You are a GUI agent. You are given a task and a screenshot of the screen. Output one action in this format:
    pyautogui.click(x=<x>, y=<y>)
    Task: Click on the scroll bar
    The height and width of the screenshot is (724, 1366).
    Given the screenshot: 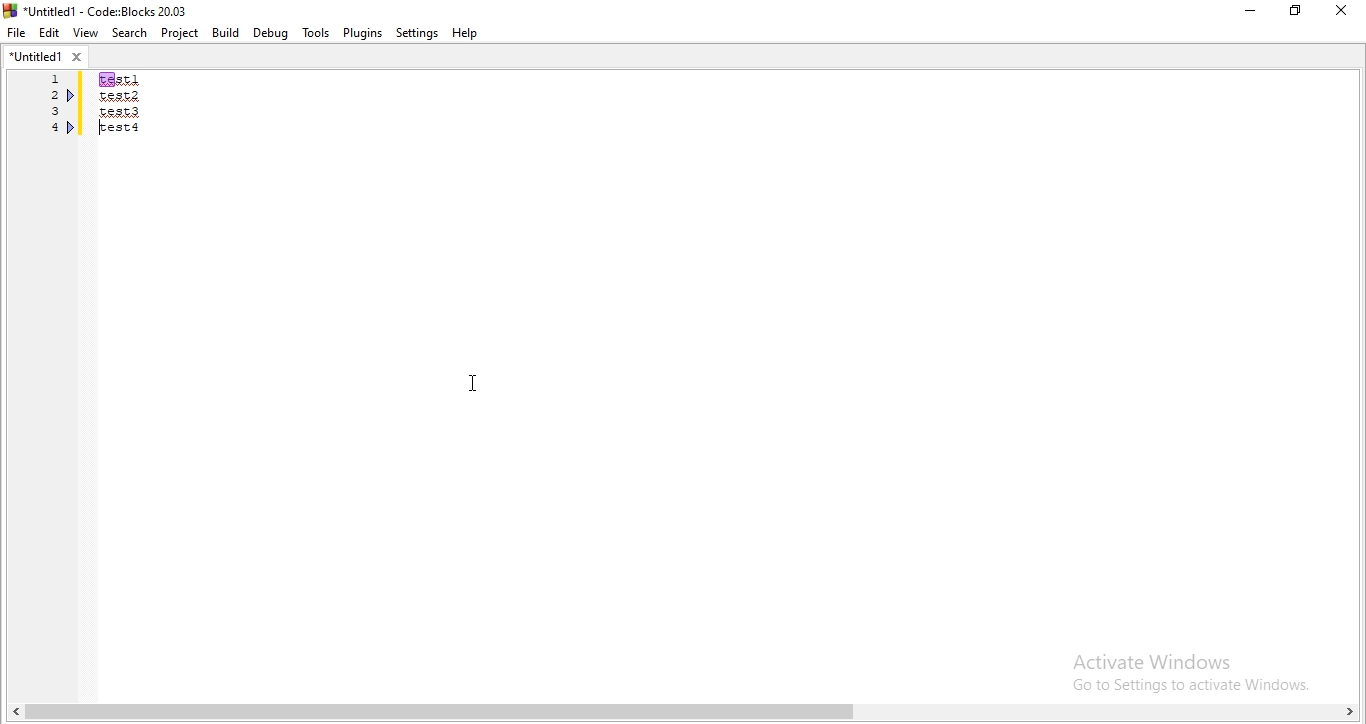 What is the action you would take?
    pyautogui.click(x=683, y=711)
    